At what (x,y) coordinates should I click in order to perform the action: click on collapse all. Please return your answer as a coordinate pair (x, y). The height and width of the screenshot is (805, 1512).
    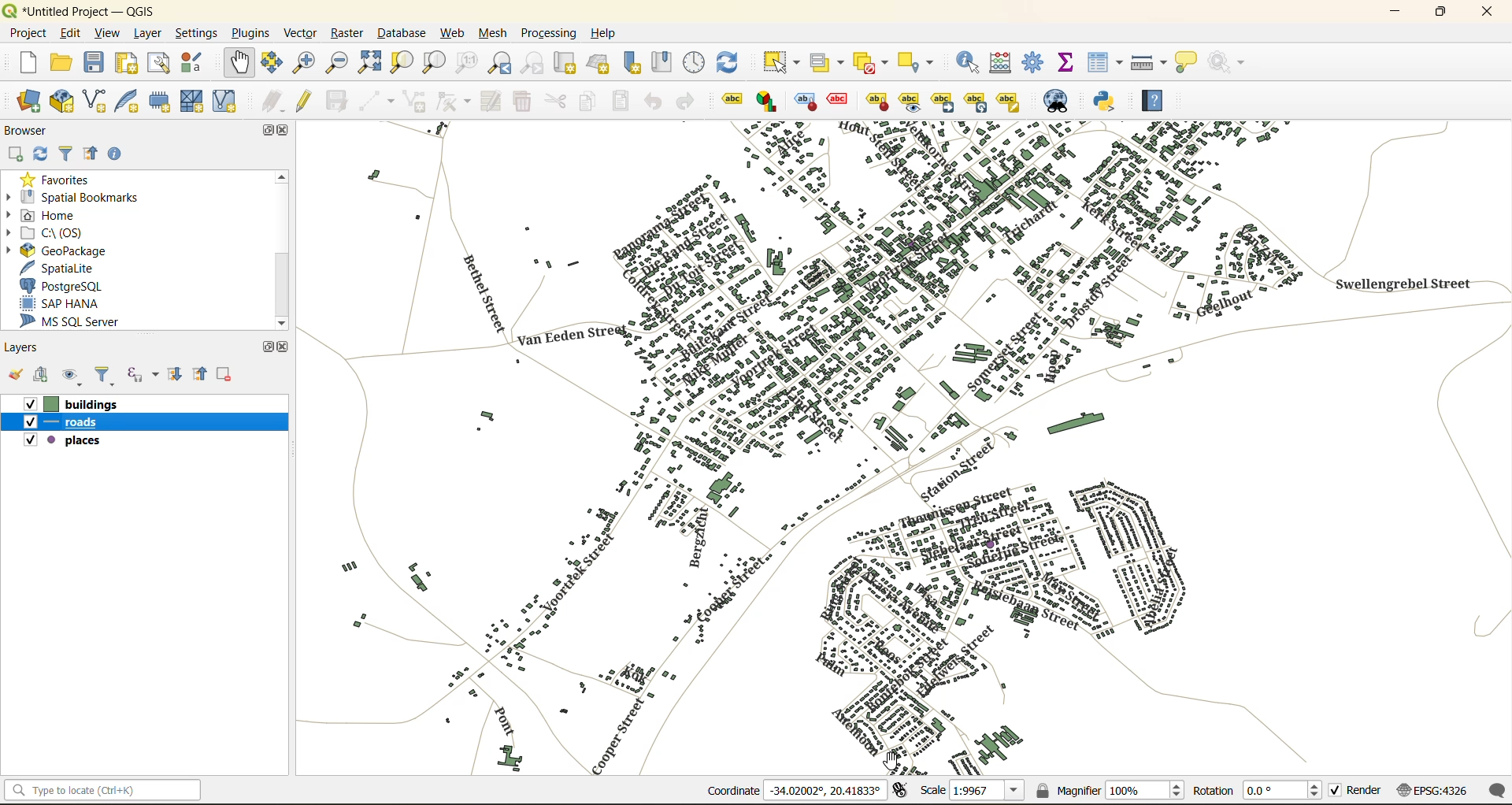
    Looking at the image, I should click on (202, 377).